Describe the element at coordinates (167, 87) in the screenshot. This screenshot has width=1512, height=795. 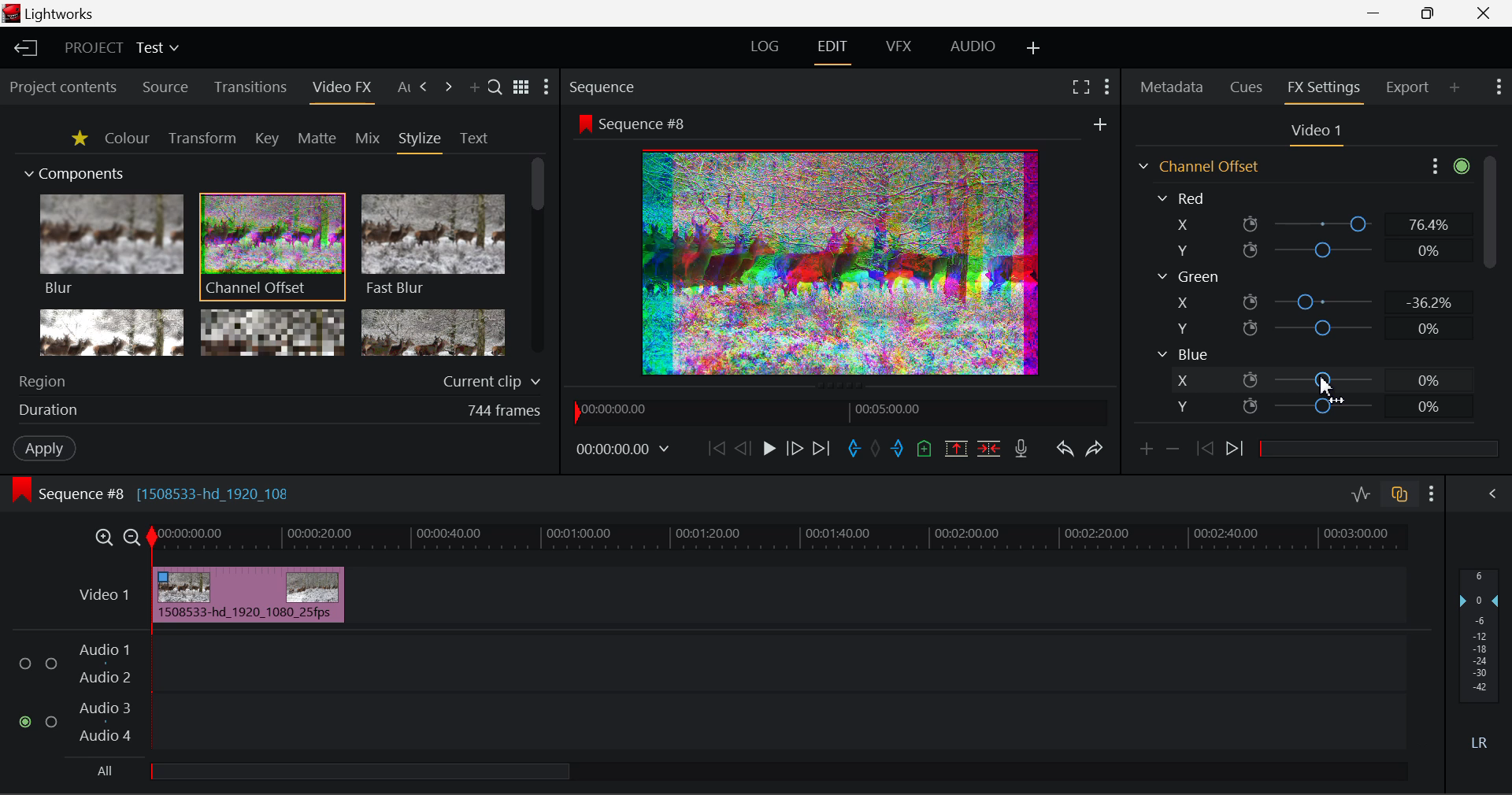
I see `Source` at that location.